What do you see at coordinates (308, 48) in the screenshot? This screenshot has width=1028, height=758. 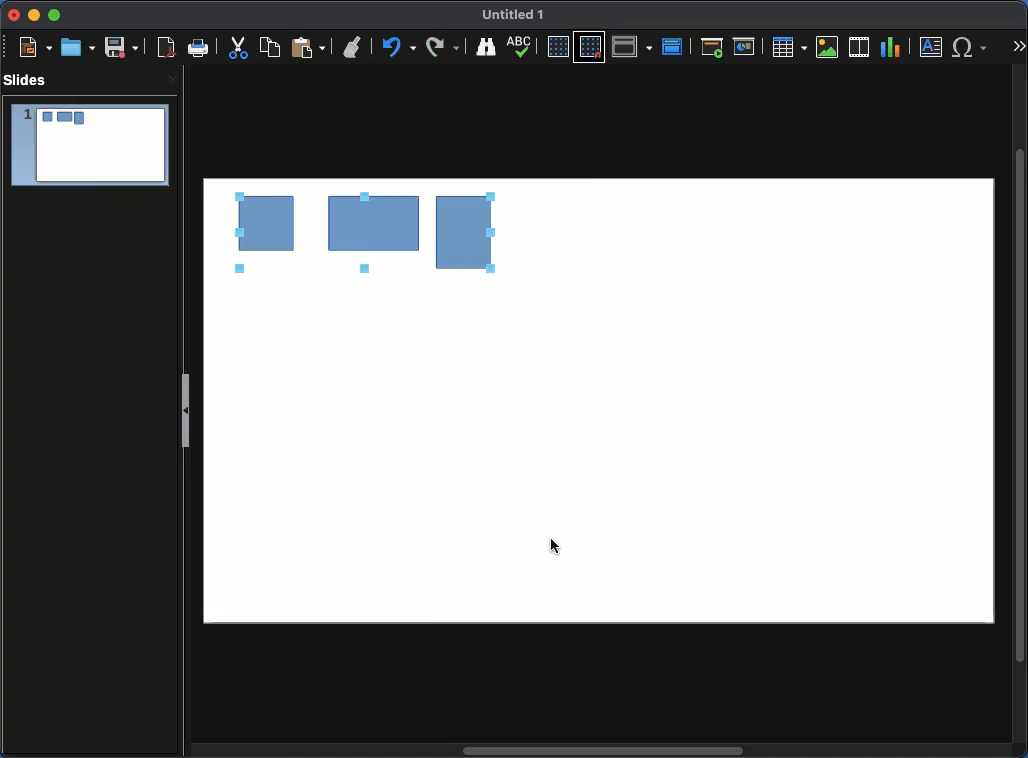 I see `Paste` at bounding box center [308, 48].